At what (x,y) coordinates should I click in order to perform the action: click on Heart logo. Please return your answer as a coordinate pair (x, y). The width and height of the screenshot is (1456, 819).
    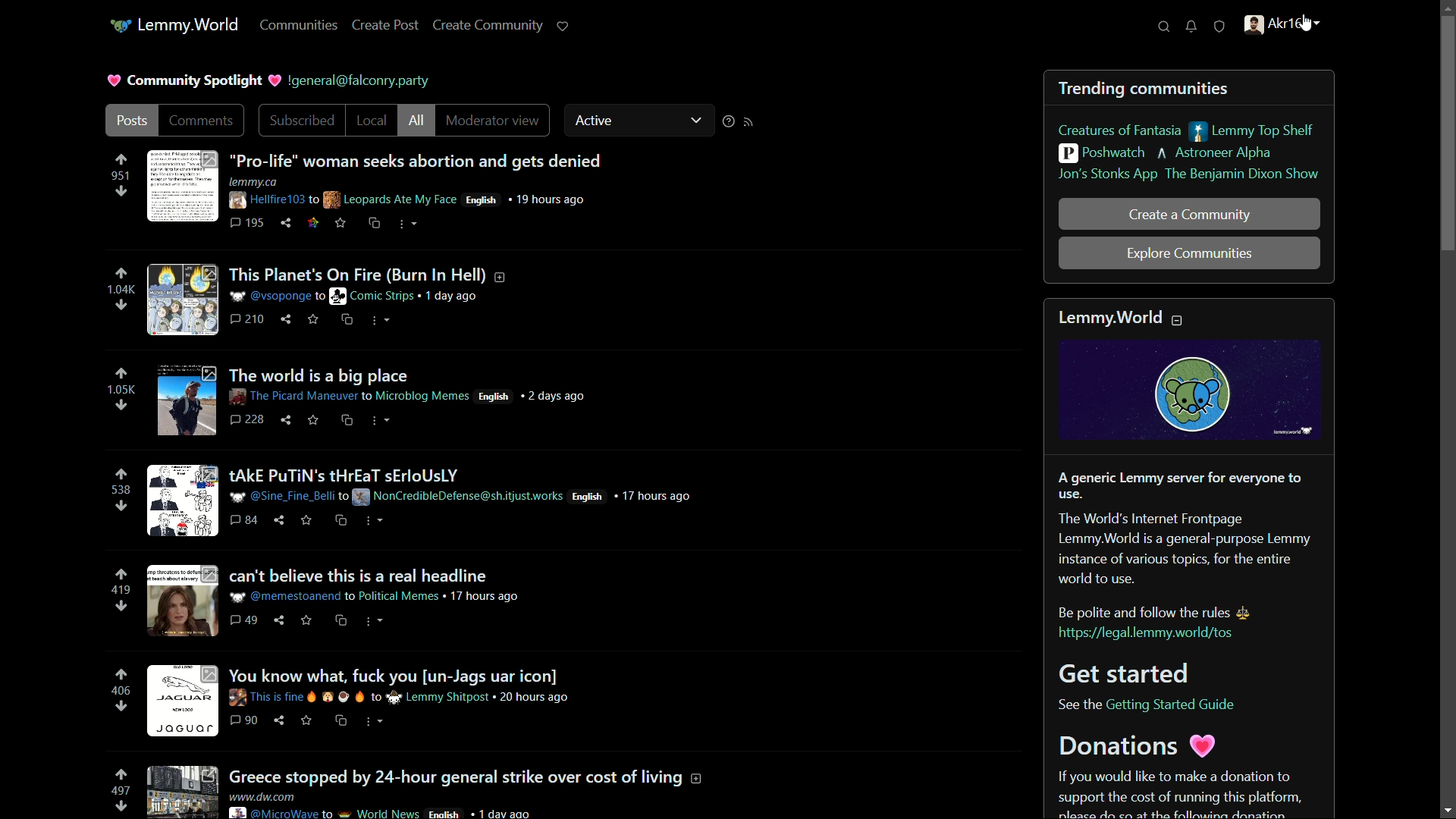
    Looking at the image, I should click on (274, 80).